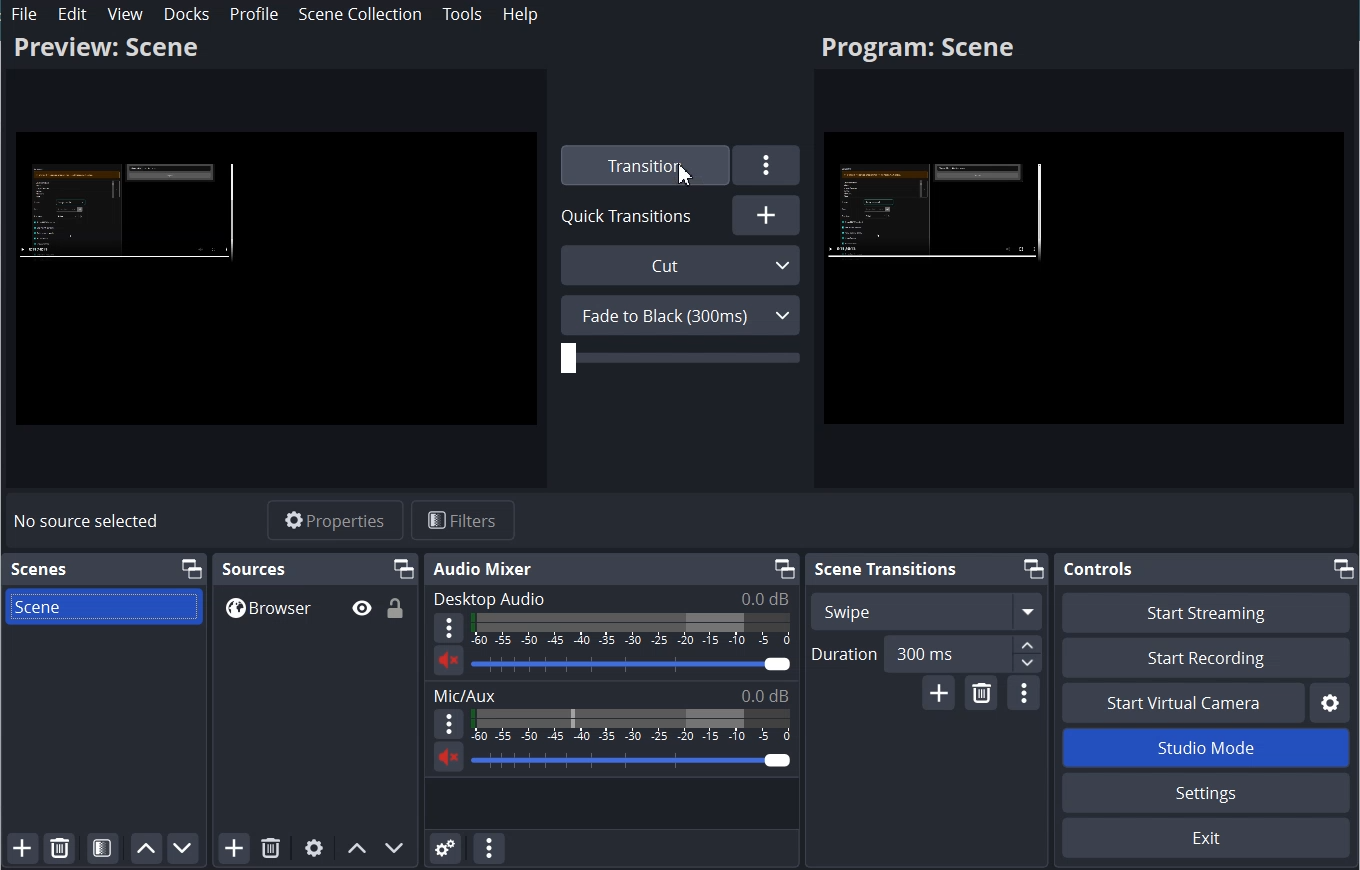 This screenshot has height=870, width=1360. I want to click on Fade to Black, so click(680, 315).